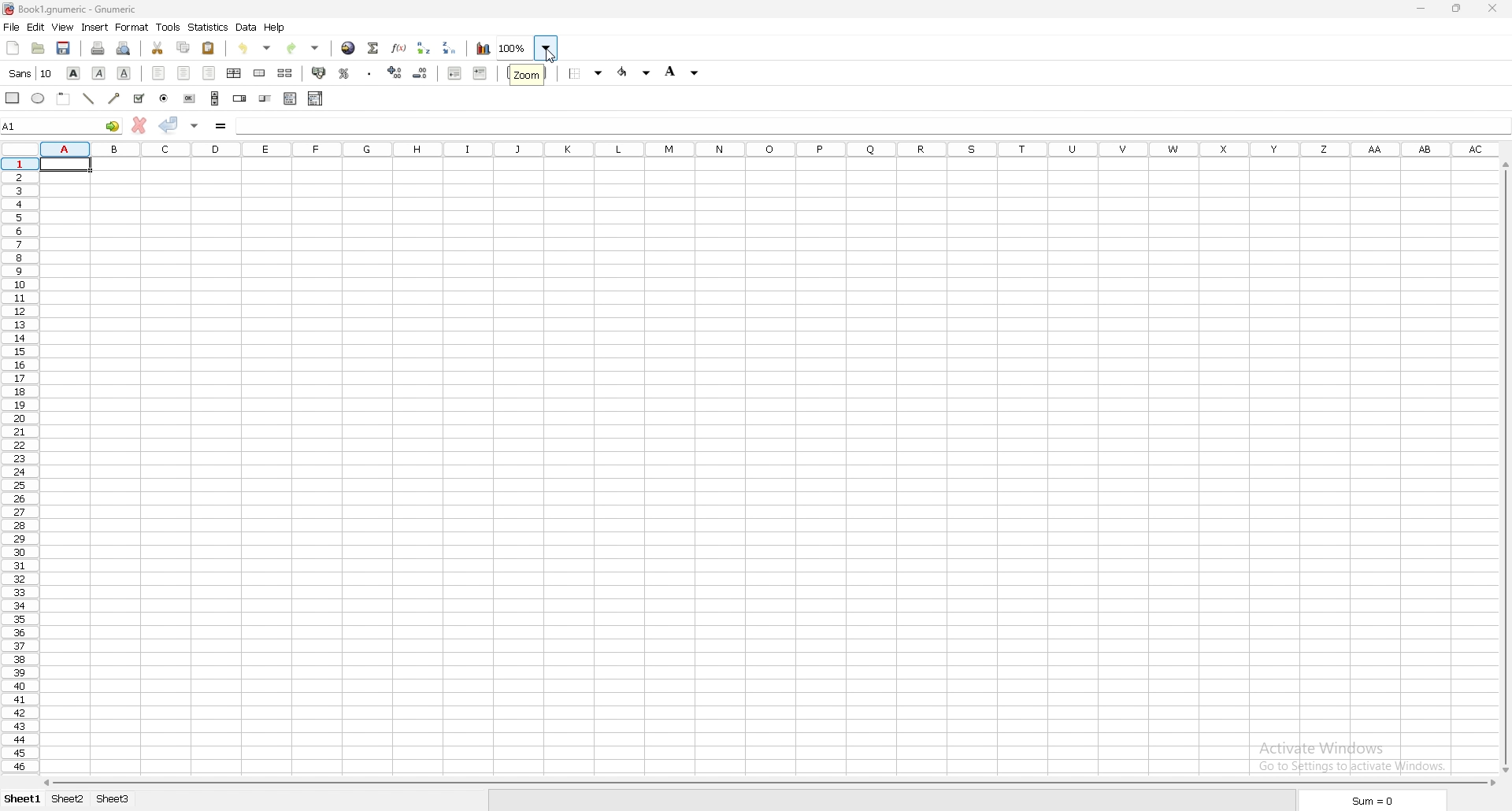  What do you see at coordinates (209, 27) in the screenshot?
I see `statistics` at bounding box center [209, 27].